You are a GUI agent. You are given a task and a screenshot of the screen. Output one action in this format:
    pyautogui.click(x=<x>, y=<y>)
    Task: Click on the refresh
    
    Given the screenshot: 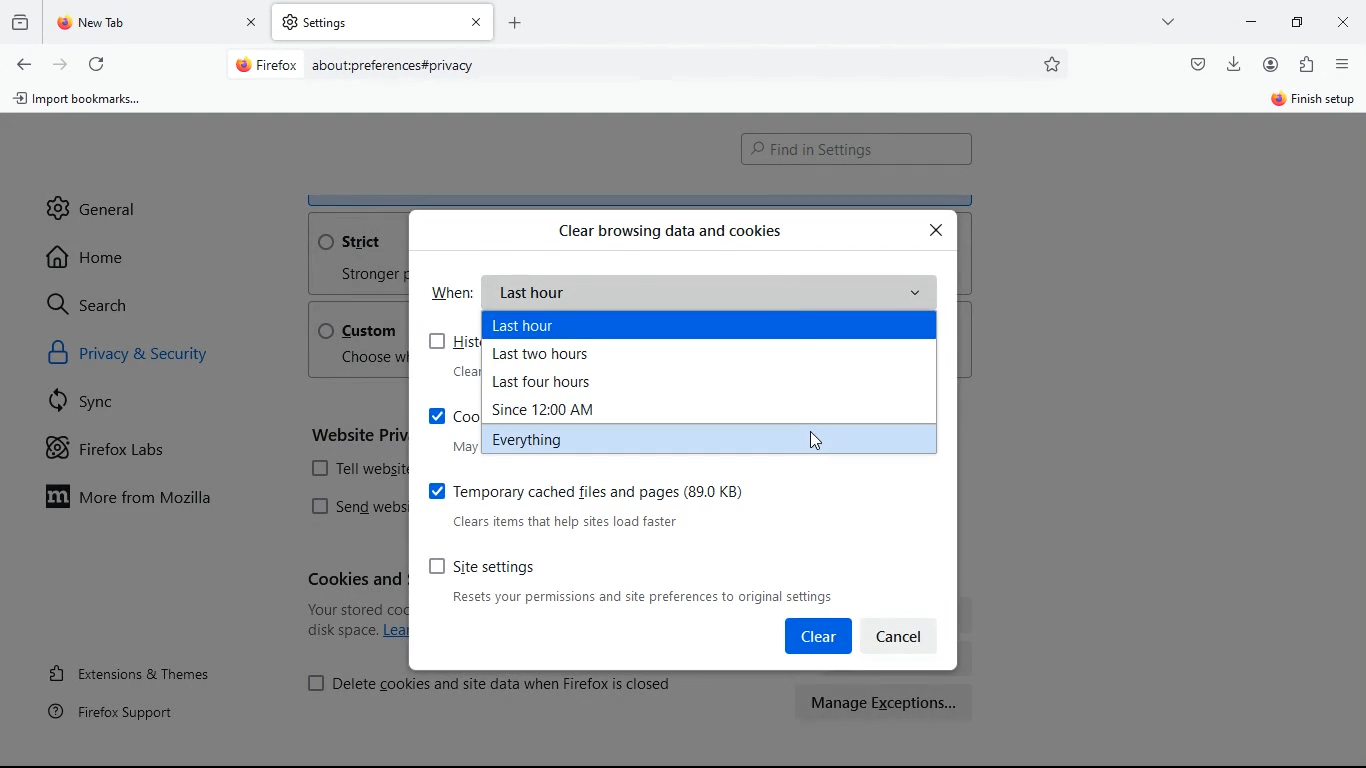 What is the action you would take?
    pyautogui.click(x=96, y=61)
    